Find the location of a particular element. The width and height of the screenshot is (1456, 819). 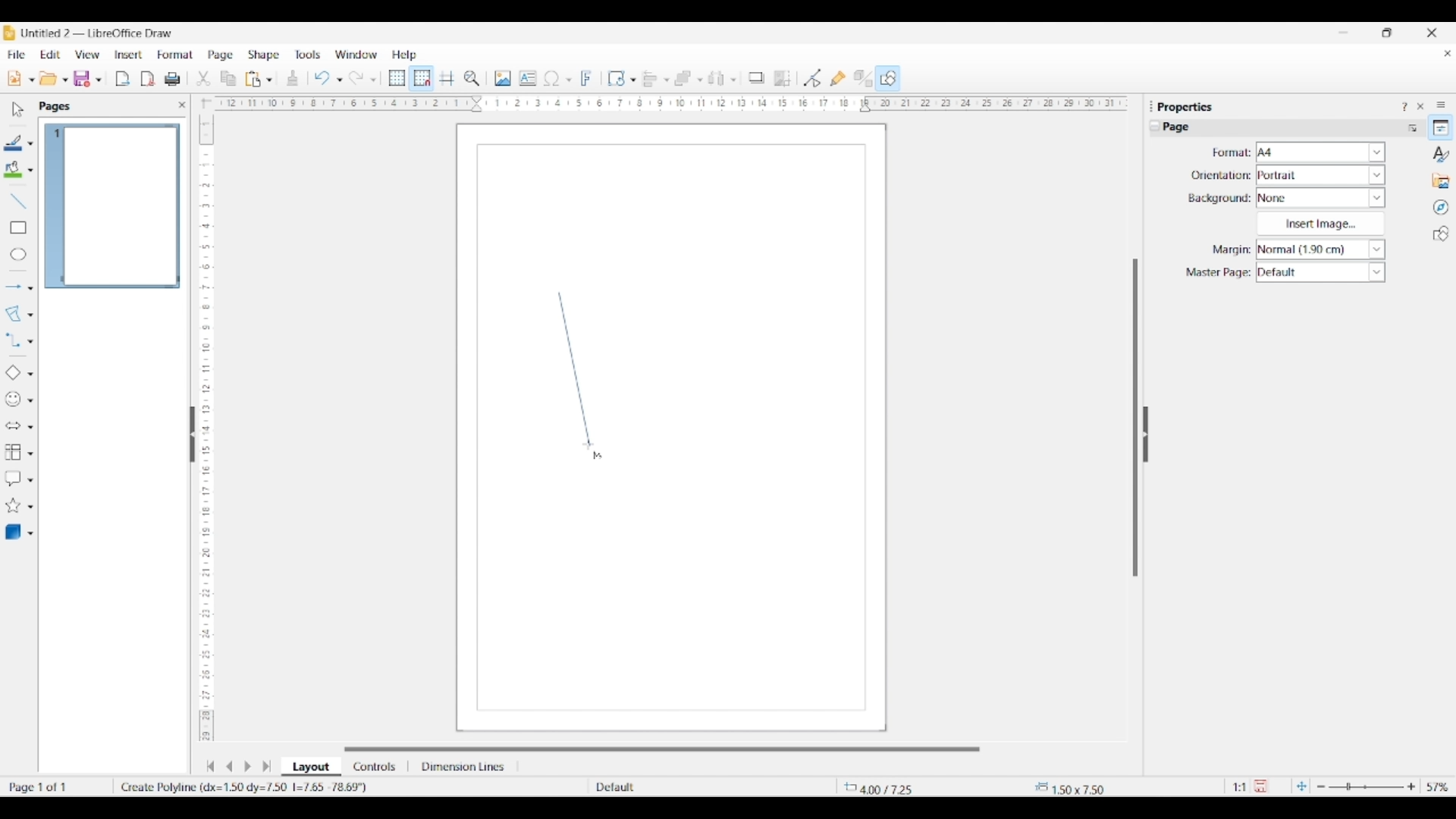

Minimize is located at coordinates (1344, 33).